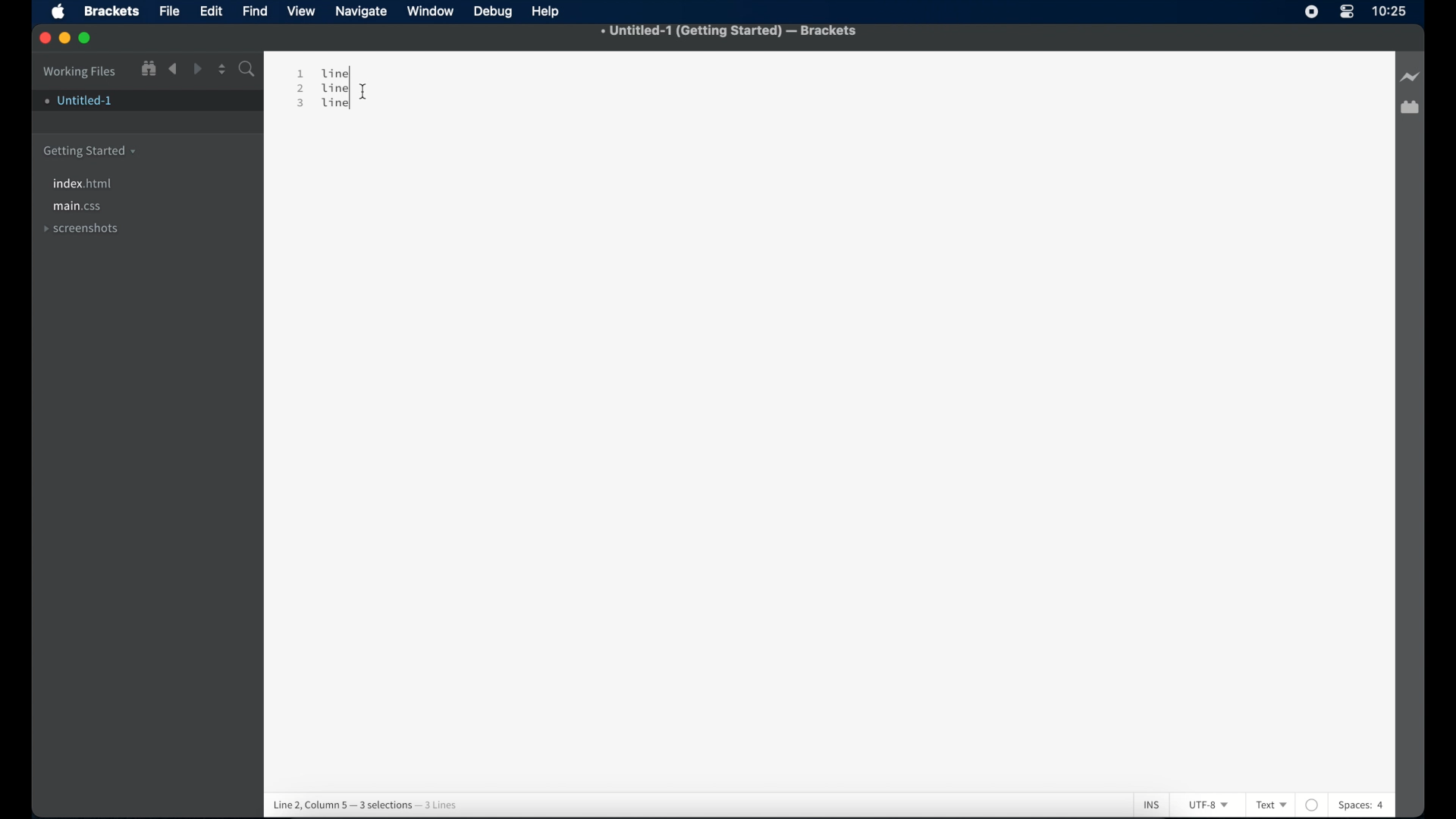 This screenshot has height=819, width=1456. Describe the element at coordinates (1311, 799) in the screenshot. I see `no linter available for text` at that location.